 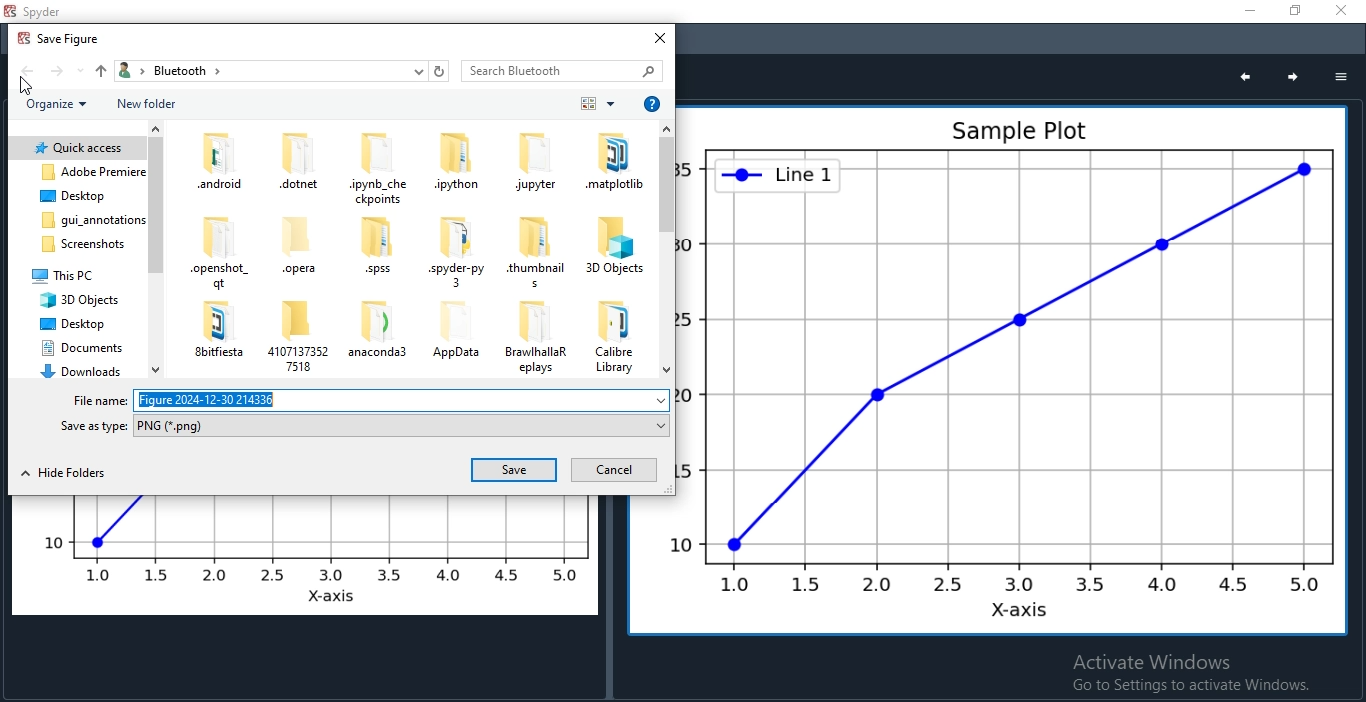 I want to click on options, so click(x=1346, y=73).